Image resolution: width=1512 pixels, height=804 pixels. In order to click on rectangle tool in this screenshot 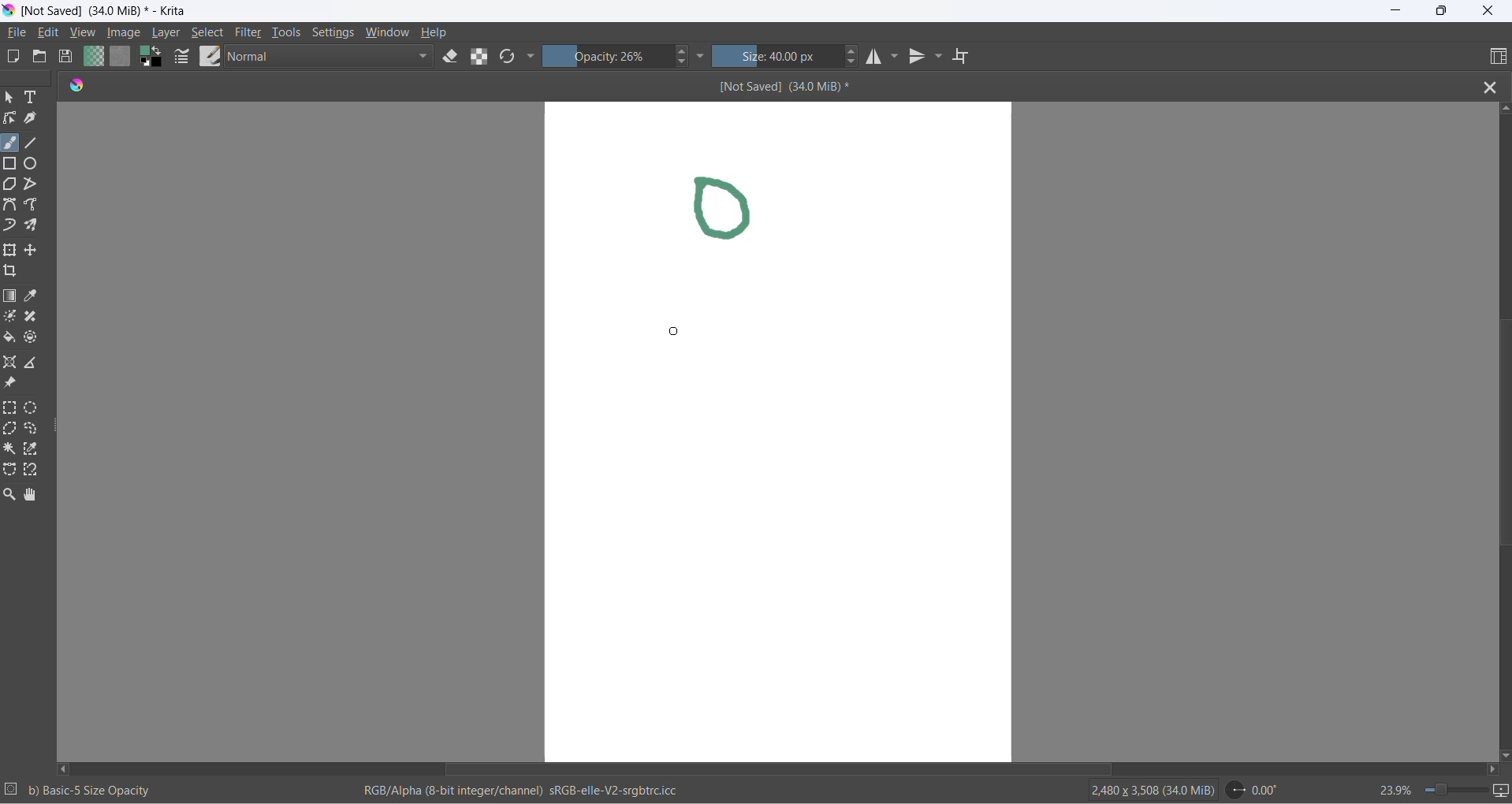, I will do `click(13, 164)`.